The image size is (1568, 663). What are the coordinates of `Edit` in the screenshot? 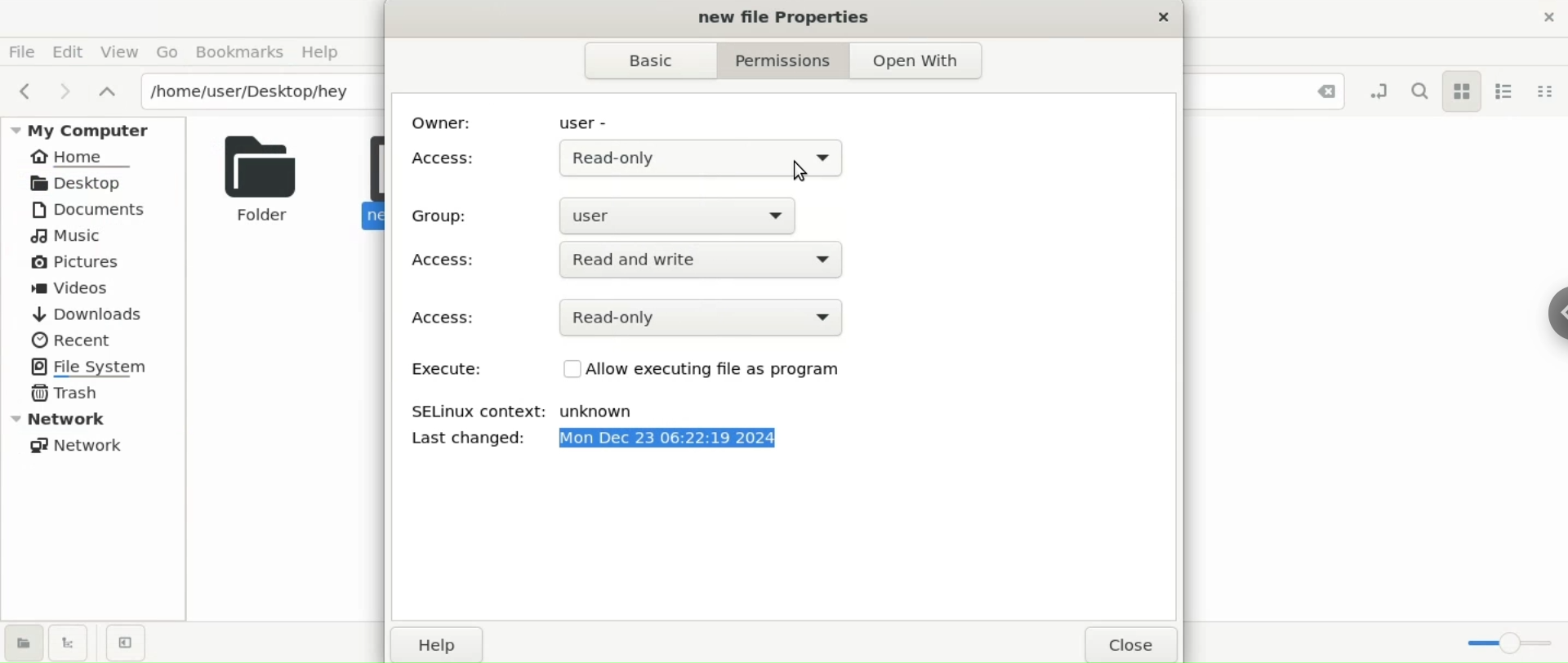 It's located at (73, 51).